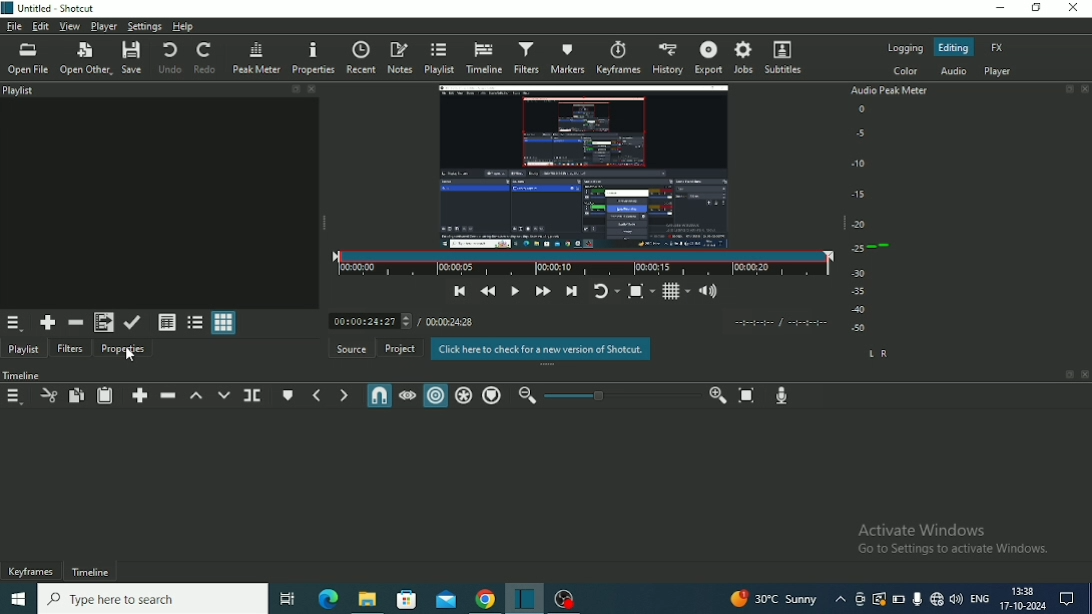 The image size is (1092, 614). Describe the element at coordinates (955, 47) in the screenshot. I see `Editing` at that location.